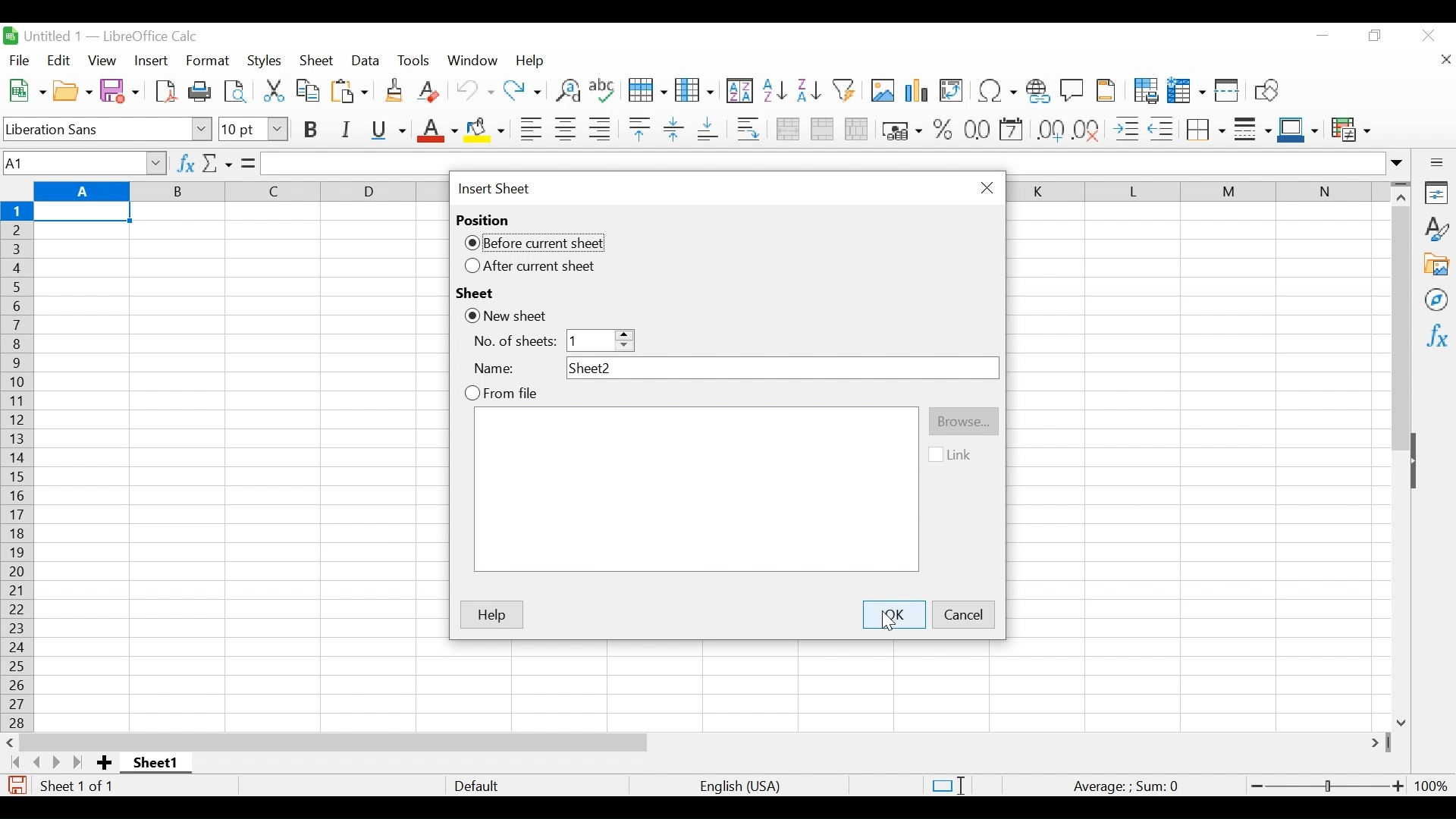  What do you see at coordinates (1266, 91) in the screenshot?
I see `Insert Shapes` at bounding box center [1266, 91].